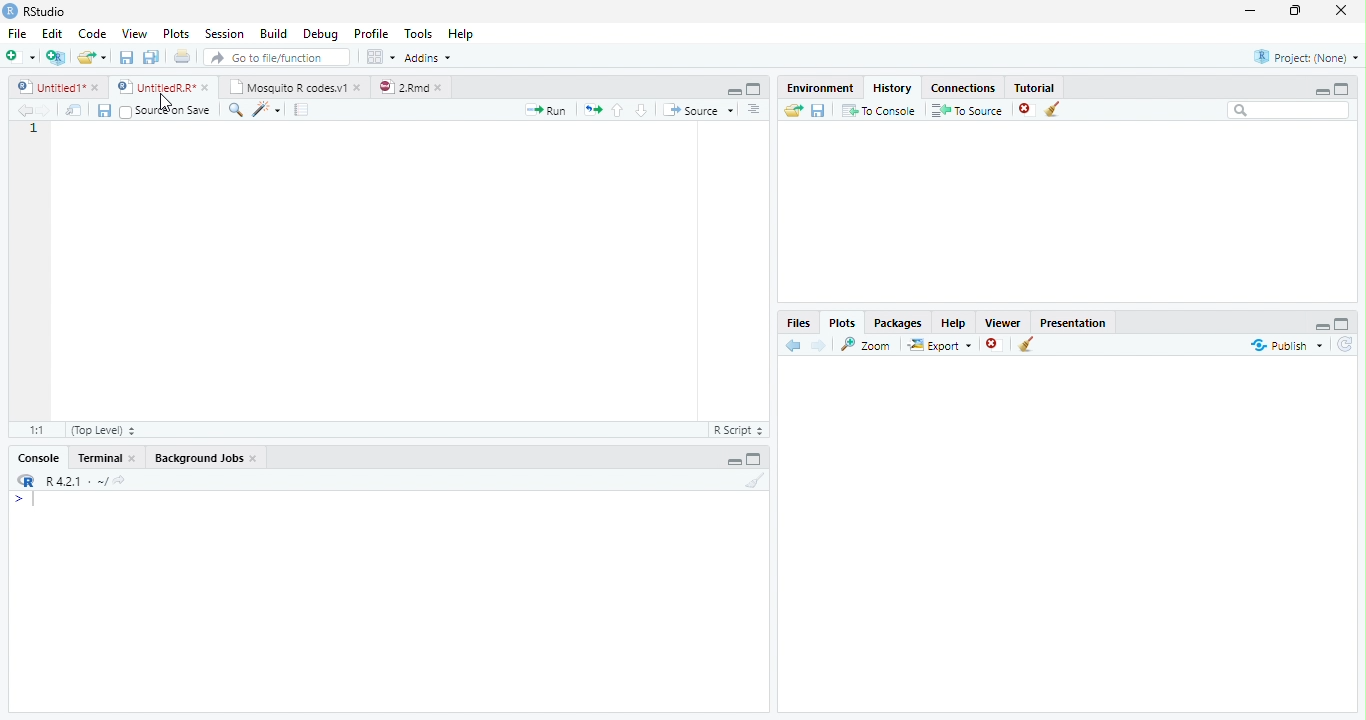  I want to click on Full Height, so click(1344, 89).